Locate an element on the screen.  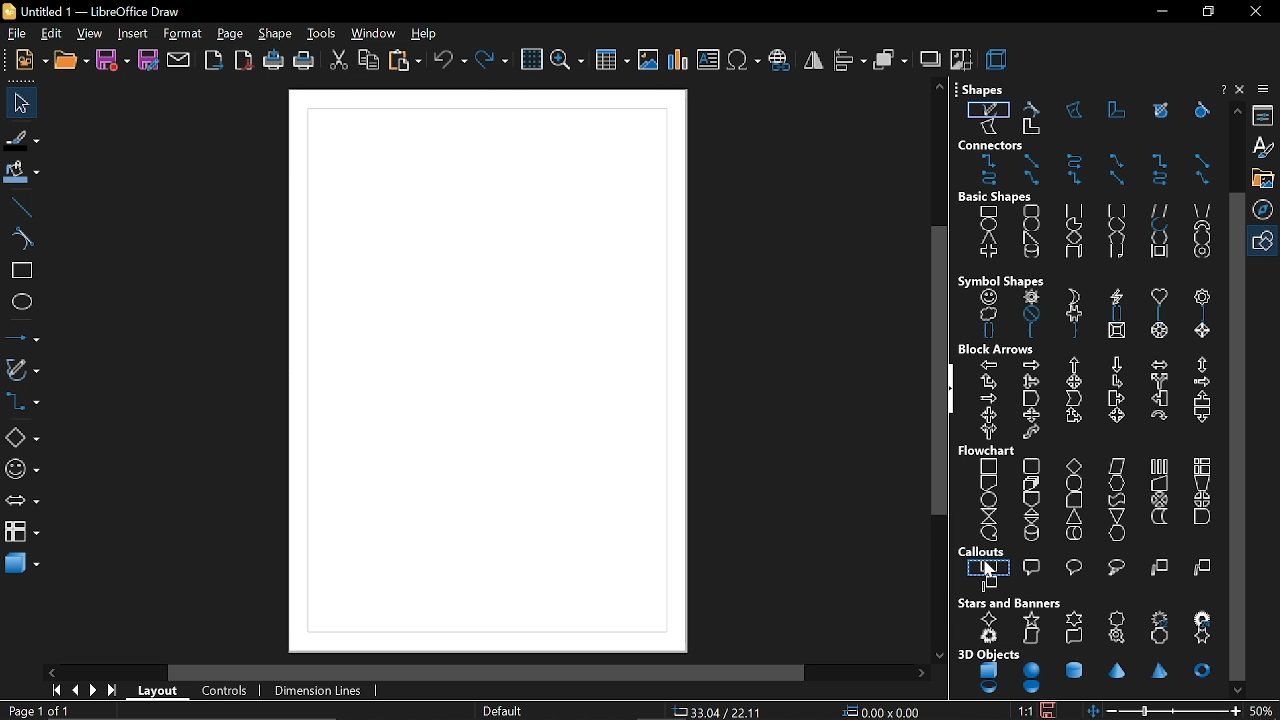
navigation is located at coordinates (1266, 208).